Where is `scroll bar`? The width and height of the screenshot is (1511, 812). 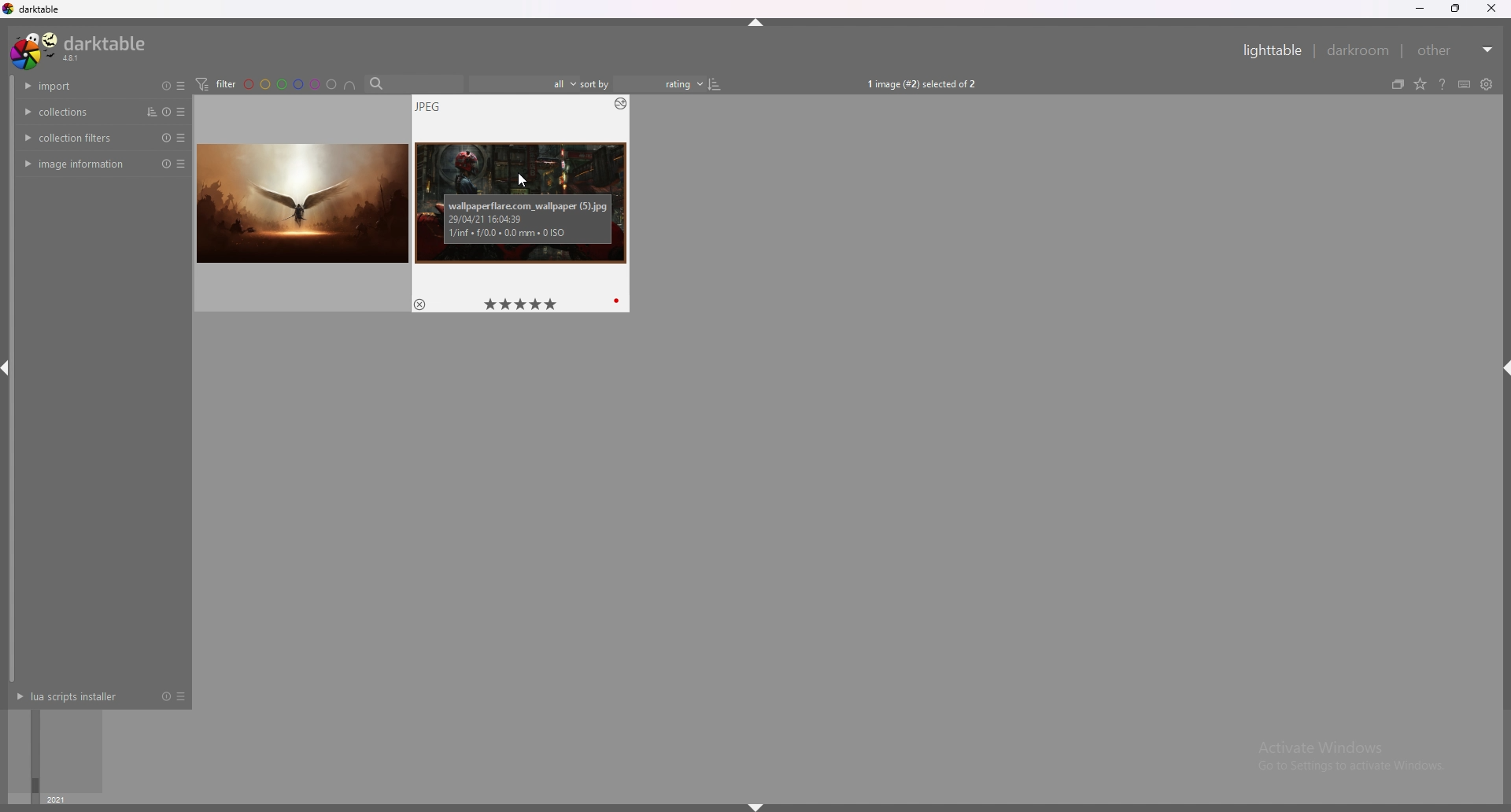 scroll bar is located at coordinates (10, 377).